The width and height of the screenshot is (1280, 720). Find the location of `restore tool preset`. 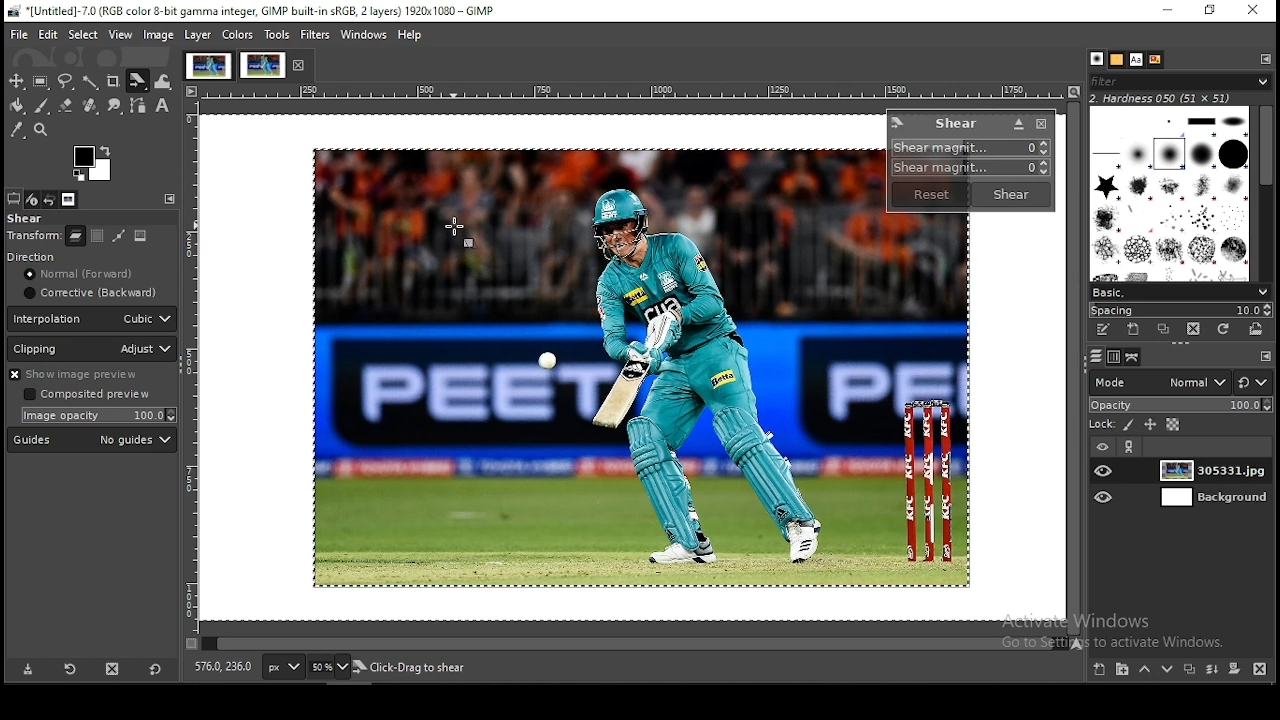

restore tool preset is located at coordinates (69, 669).